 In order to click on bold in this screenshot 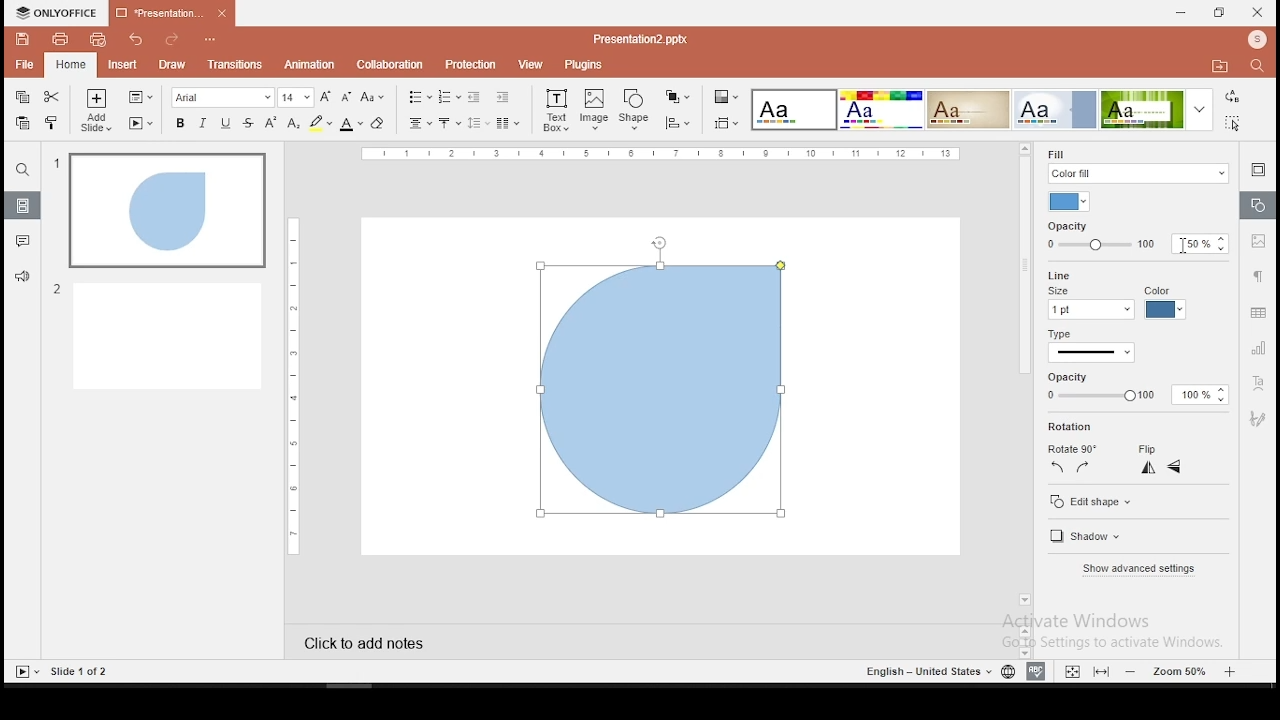, I will do `click(179, 122)`.